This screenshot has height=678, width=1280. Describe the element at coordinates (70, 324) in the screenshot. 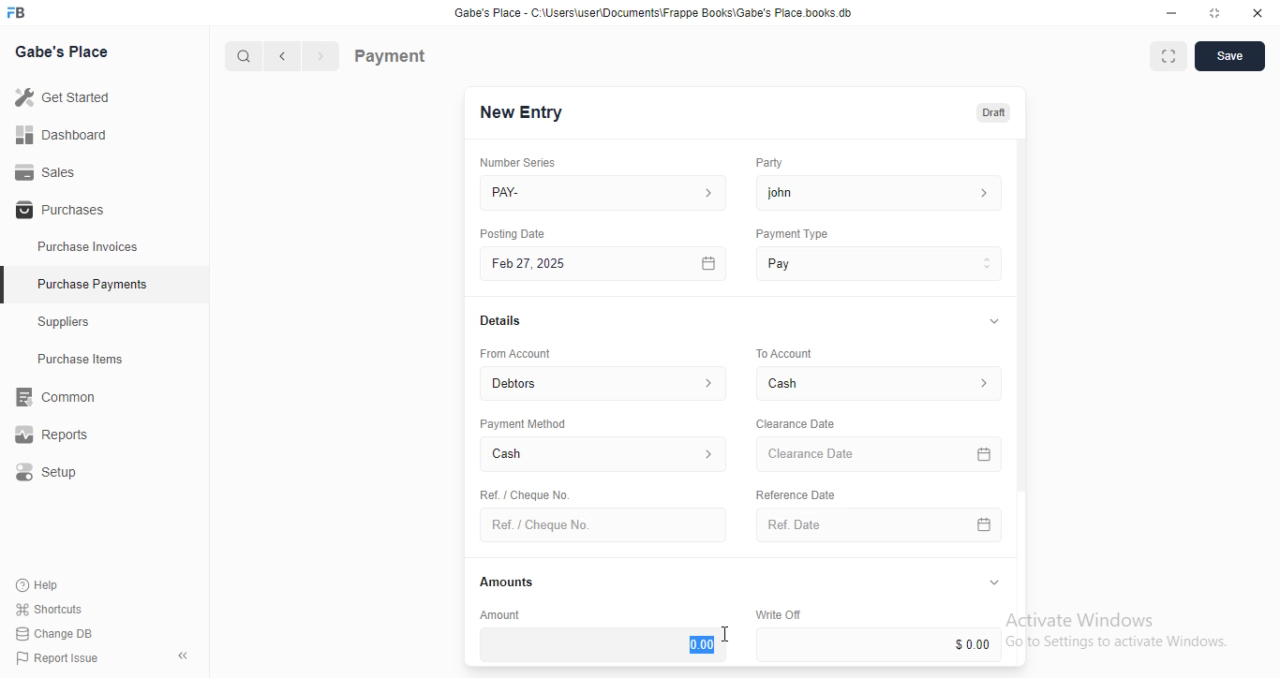

I see `Suppliers` at that location.